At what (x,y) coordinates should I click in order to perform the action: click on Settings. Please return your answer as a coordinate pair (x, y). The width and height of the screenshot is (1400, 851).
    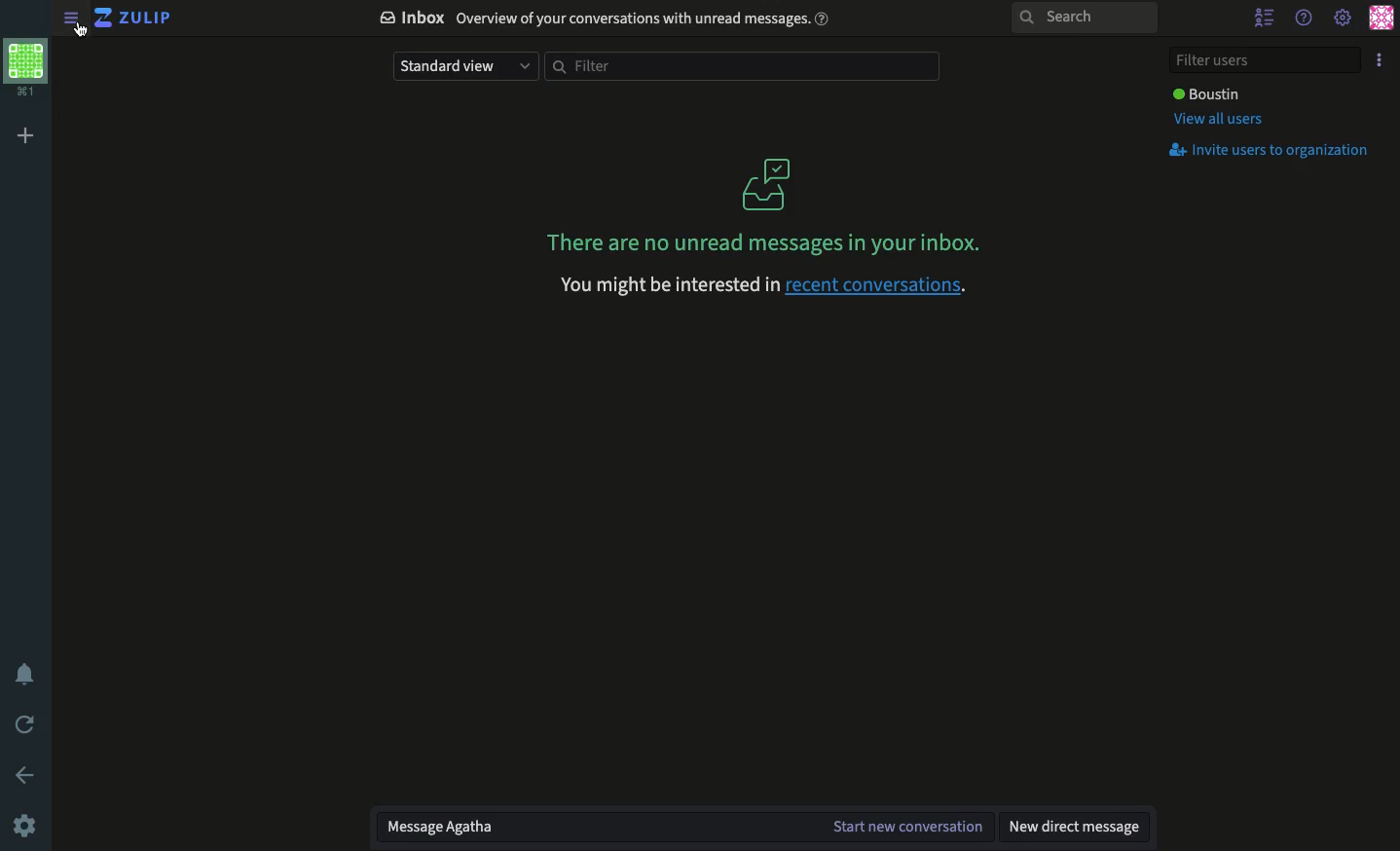
    Looking at the image, I should click on (26, 825).